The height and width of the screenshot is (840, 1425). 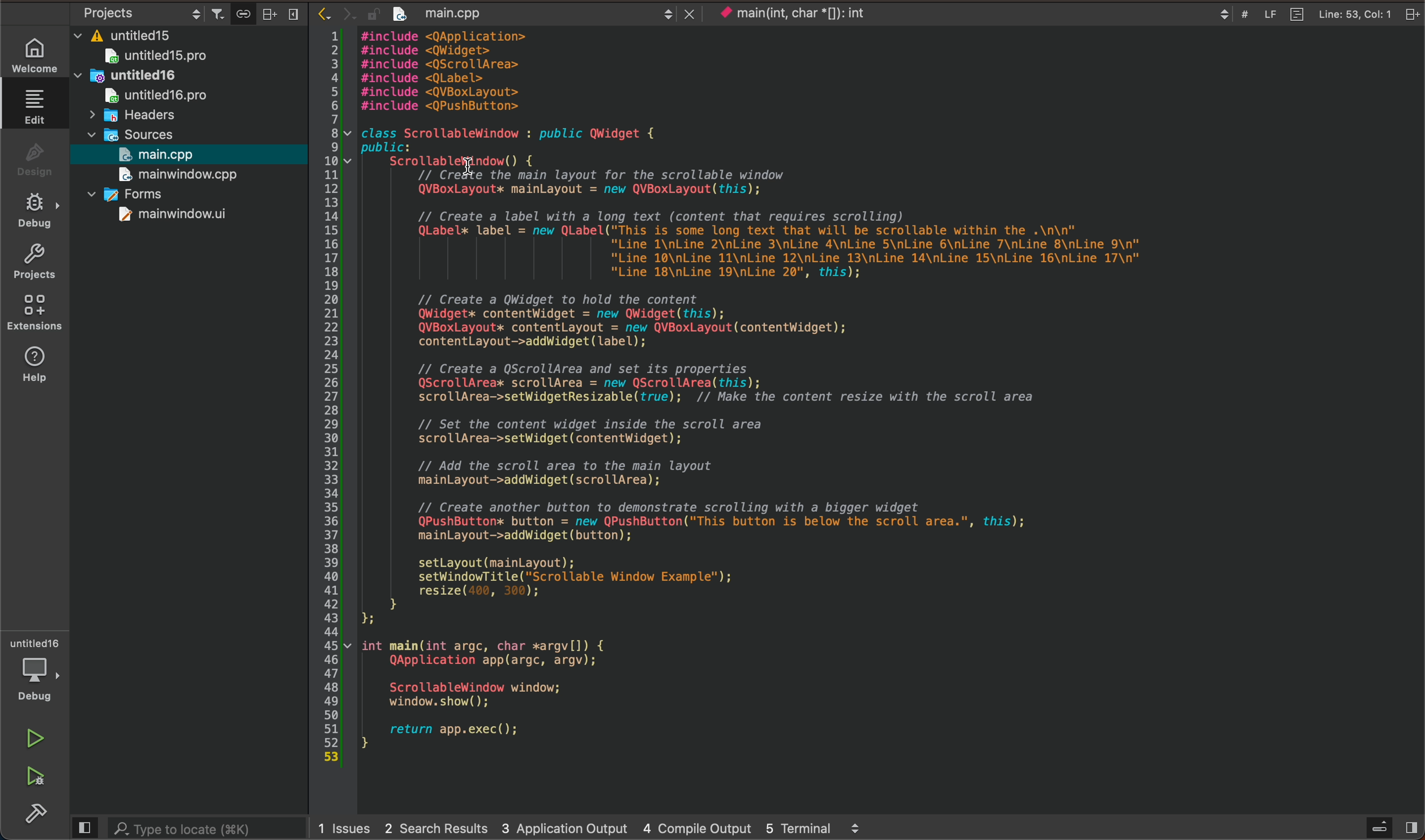 What do you see at coordinates (144, 196) in the screenshot?
I see `forms` at bounding box center [144, 196].